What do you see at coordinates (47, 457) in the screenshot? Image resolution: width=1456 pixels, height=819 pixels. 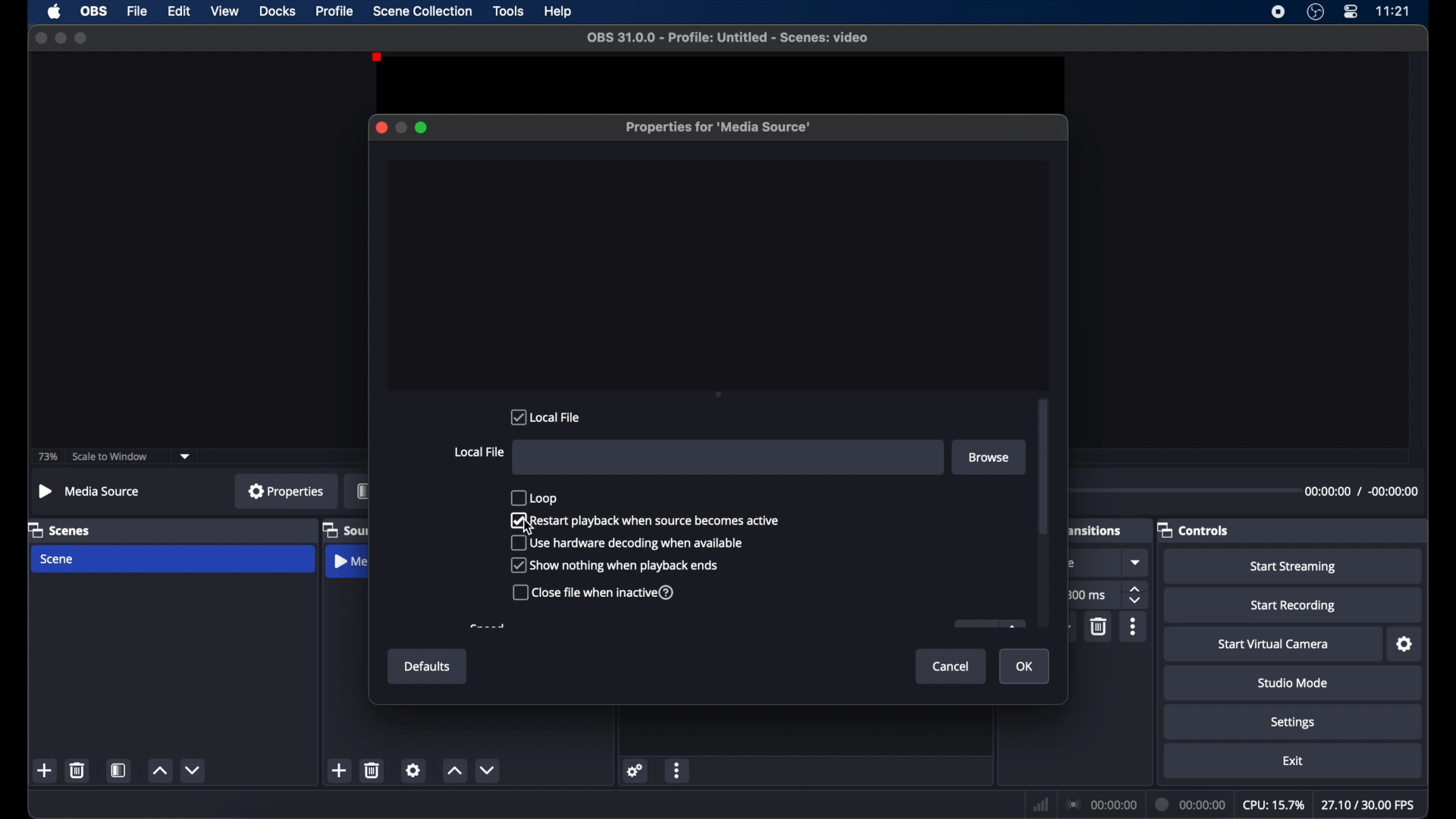 I see `73%` at bounding box center [47, 457].